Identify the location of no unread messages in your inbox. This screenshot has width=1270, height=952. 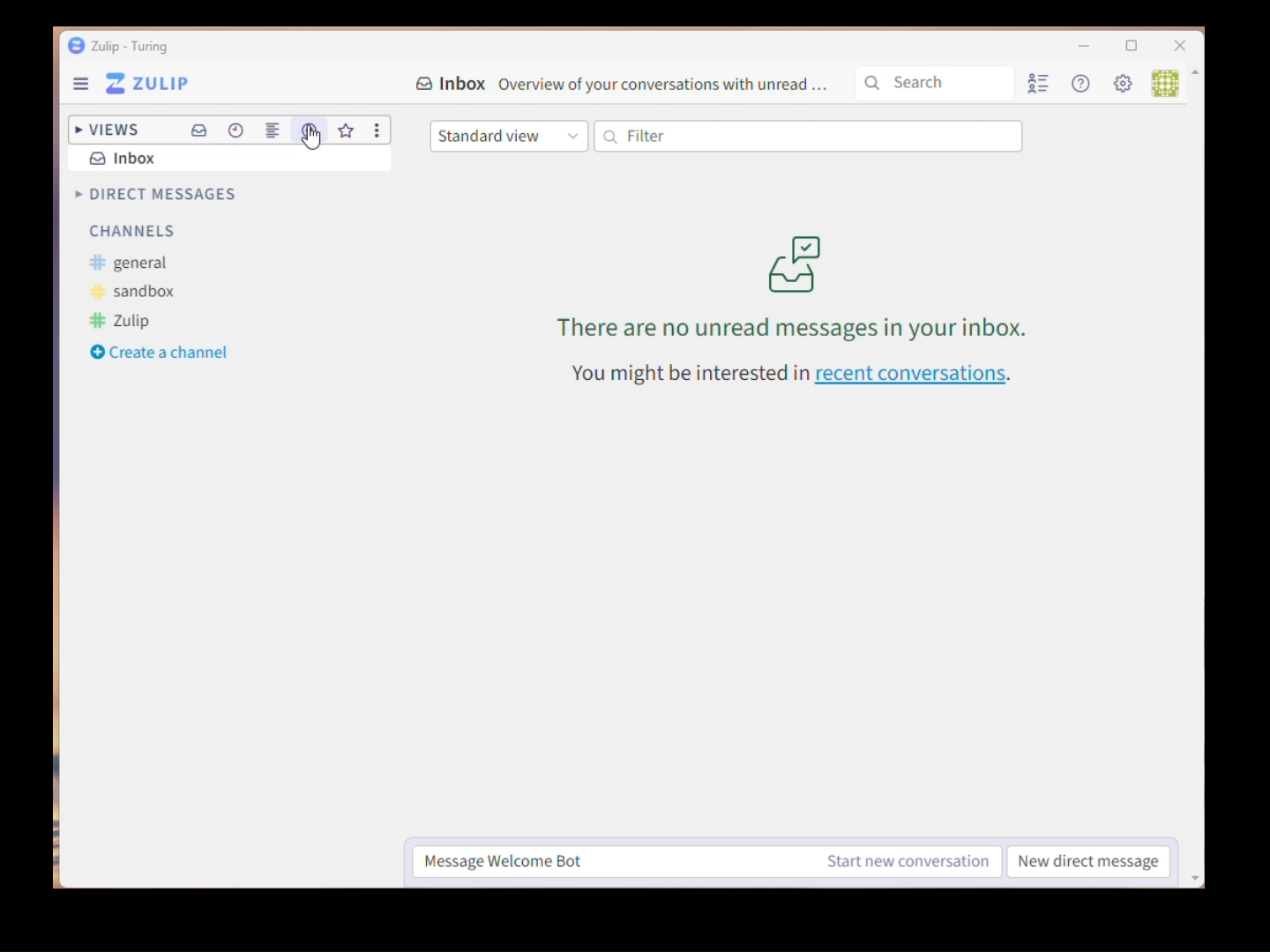
(788, 293).